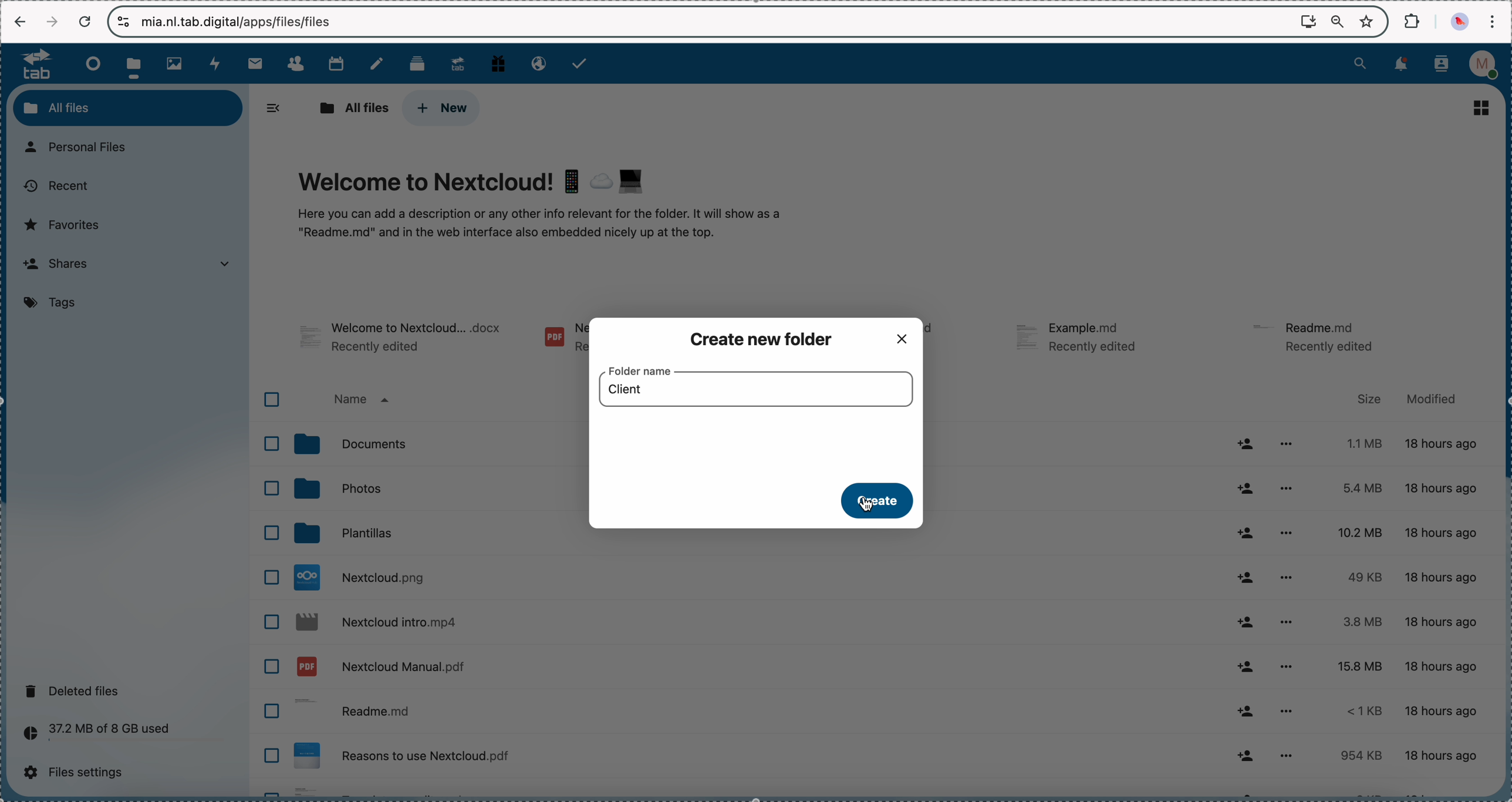 This screenshot has width=1512, height=802. What do you see at coordinates (1482, 107) in the screenshot?
I see `list view` at bounding box center [1482, 107].